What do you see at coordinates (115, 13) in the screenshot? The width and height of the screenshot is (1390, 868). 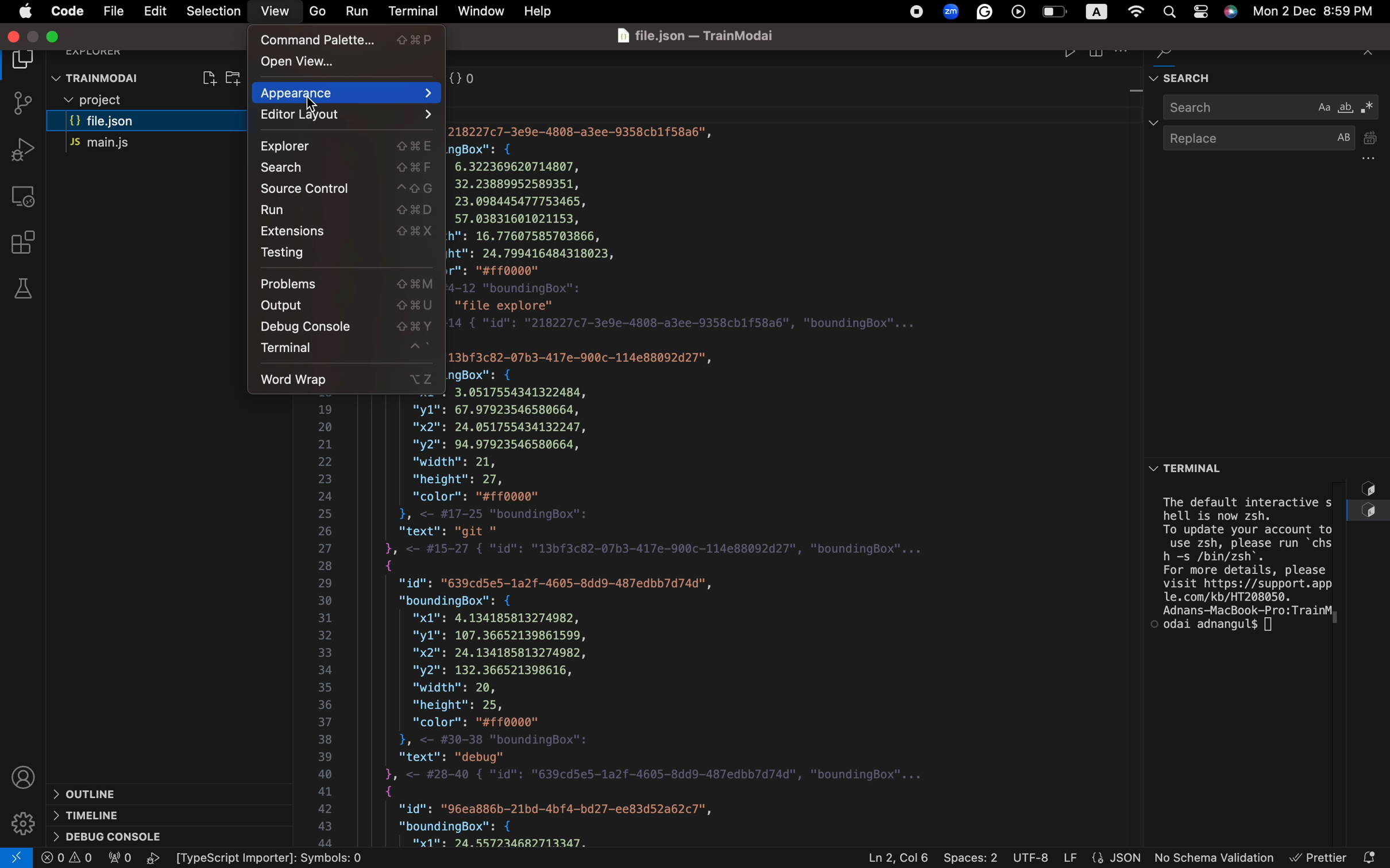 I see `file` at bounding box center [115, 13].